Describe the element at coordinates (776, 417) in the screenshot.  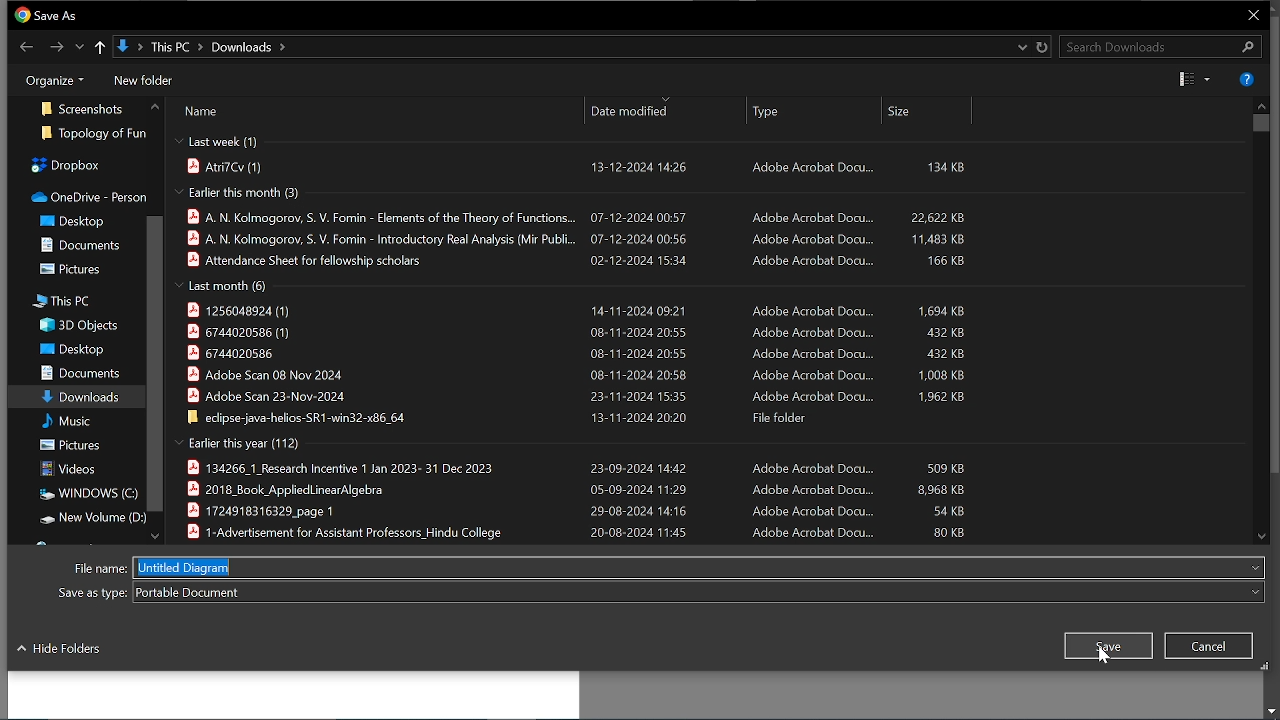
I see `File folder` at that location.